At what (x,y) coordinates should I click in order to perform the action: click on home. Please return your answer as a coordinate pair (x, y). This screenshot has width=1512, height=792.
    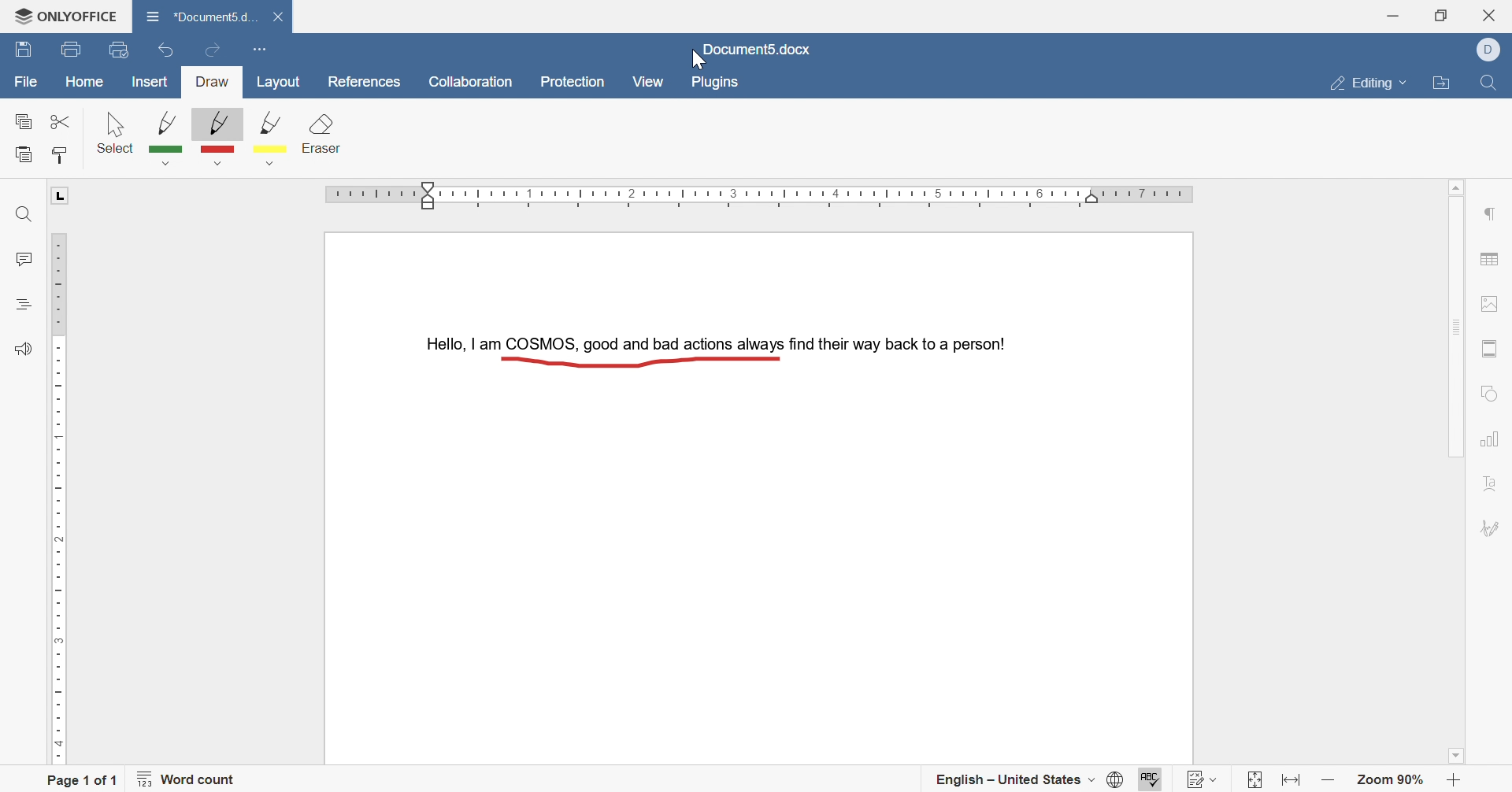
    Looking at the image, I should click on (86, 81).